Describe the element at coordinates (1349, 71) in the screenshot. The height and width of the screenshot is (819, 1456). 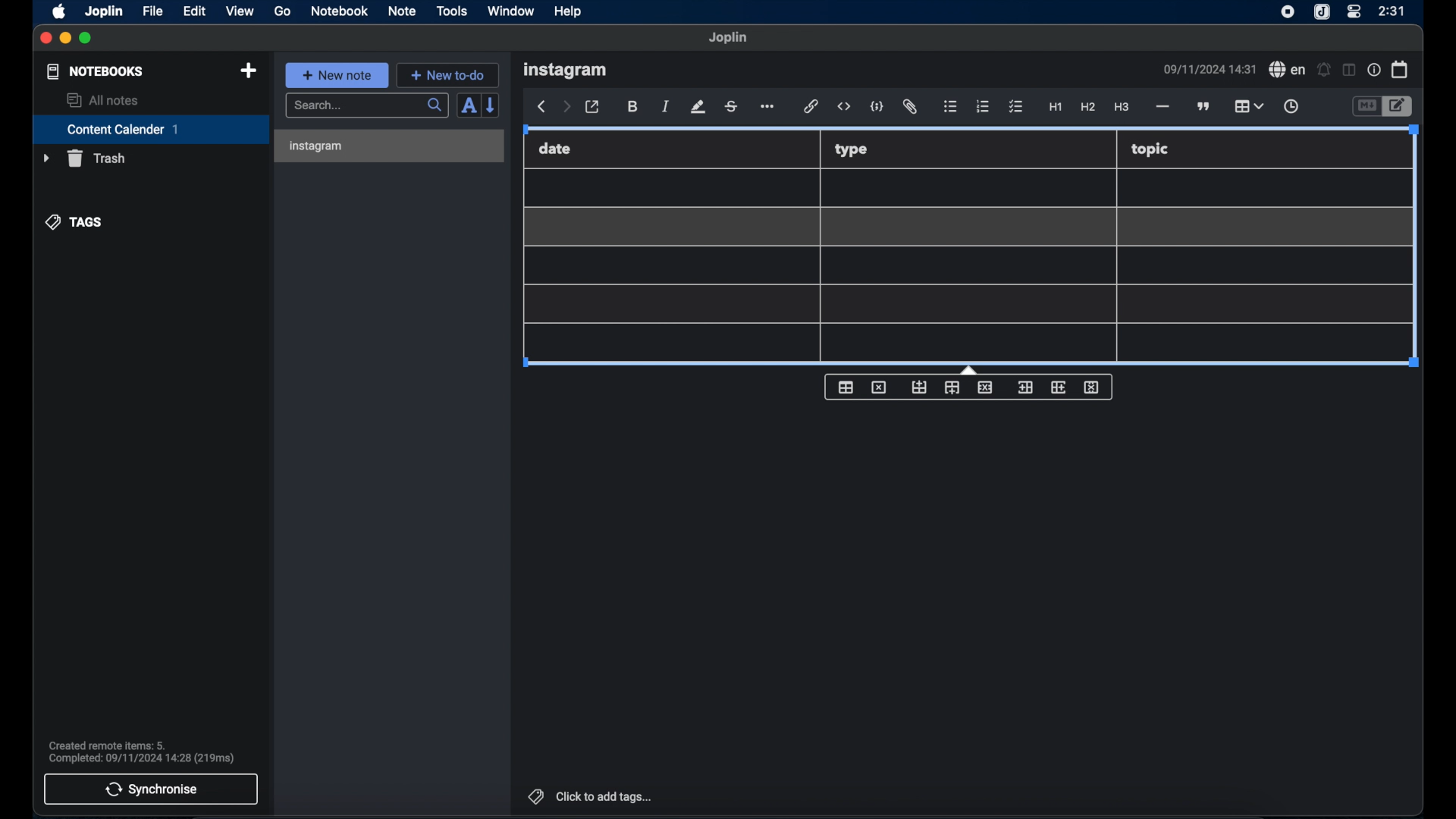
I see `toggle editor layout` at that location.